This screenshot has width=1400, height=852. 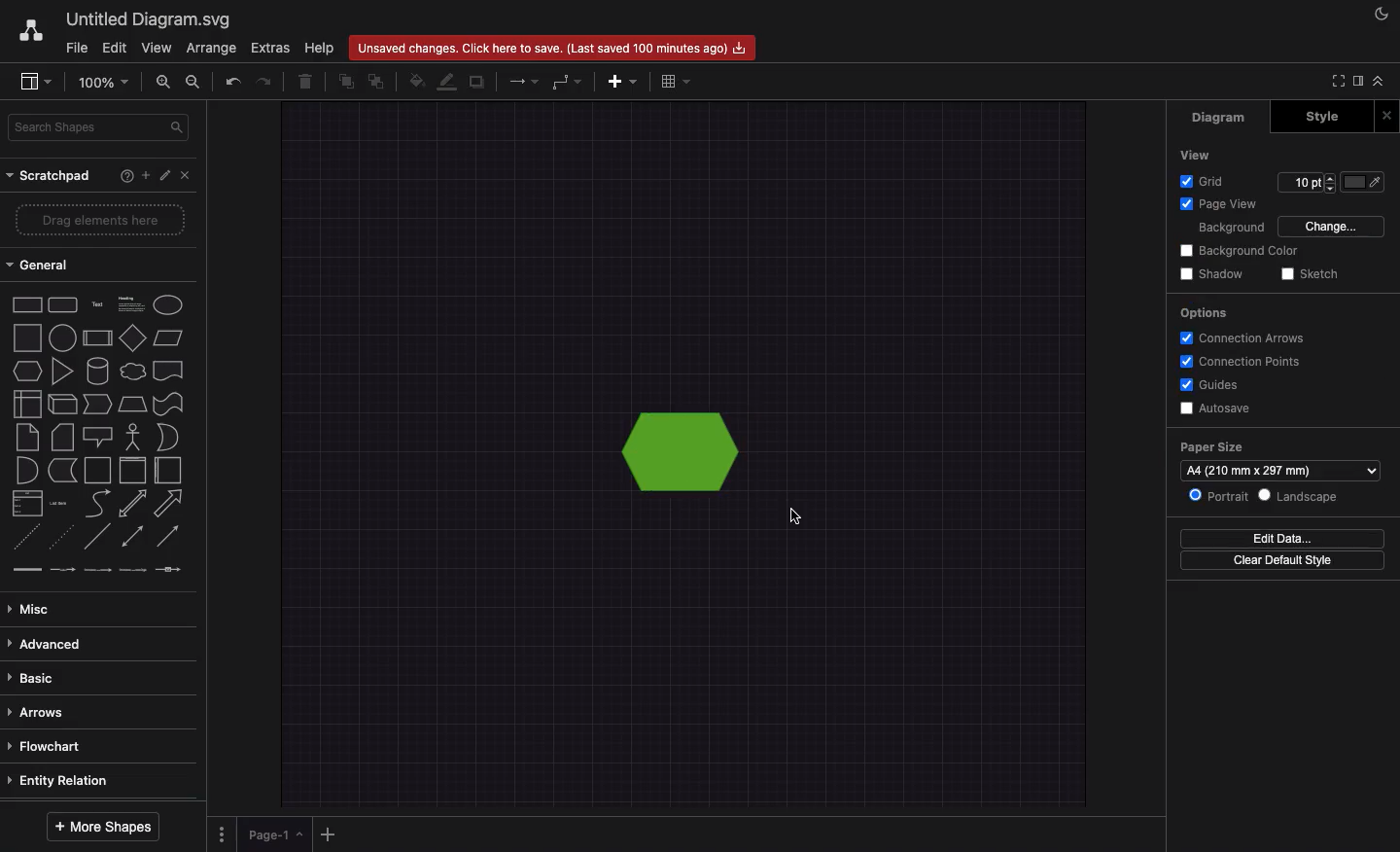 I want to click on Arrange, so click(x=211, y=49).